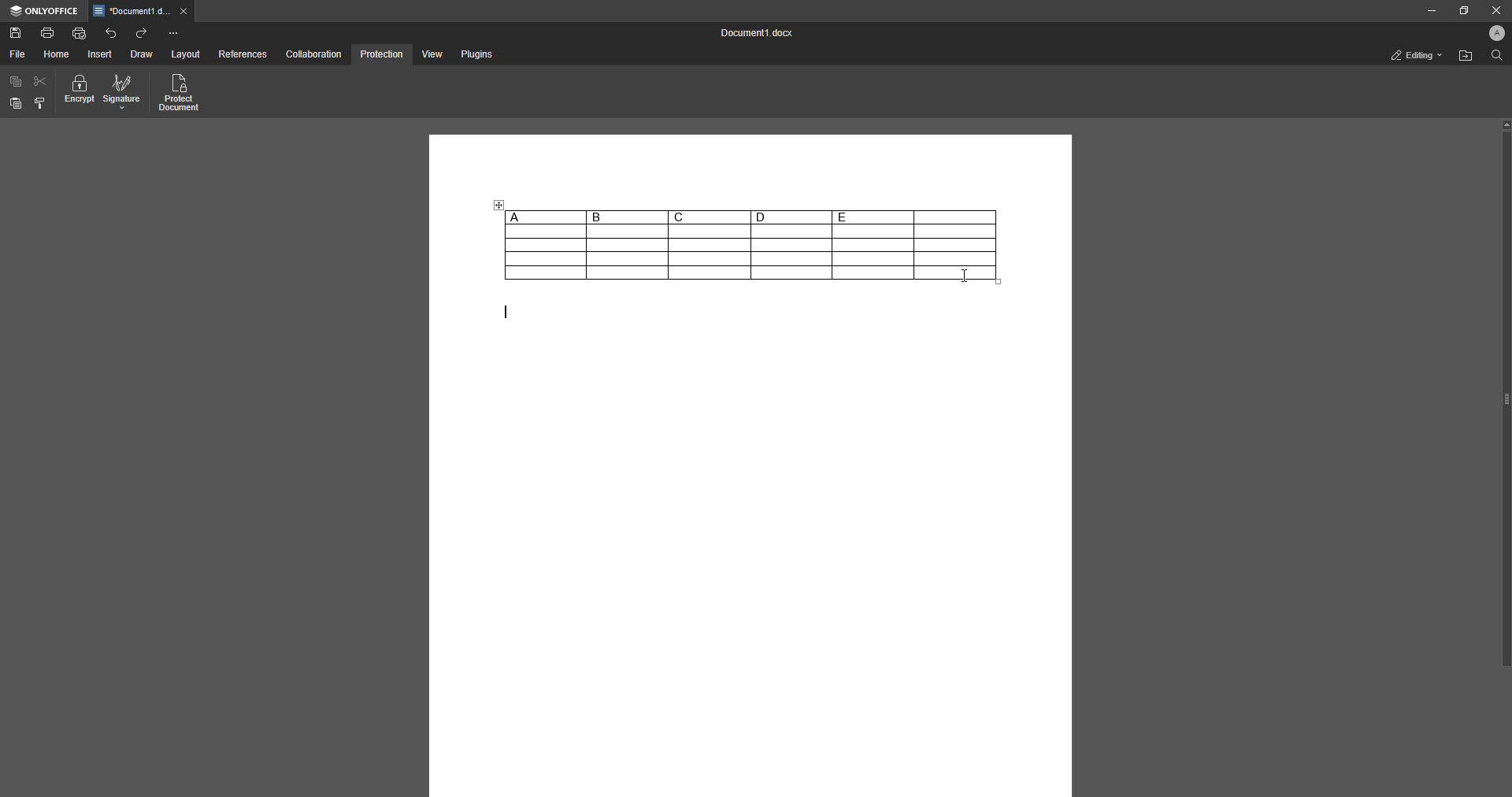 This screenshot has height=797, width=1512. I want to click on Draw, so click(141, 55).